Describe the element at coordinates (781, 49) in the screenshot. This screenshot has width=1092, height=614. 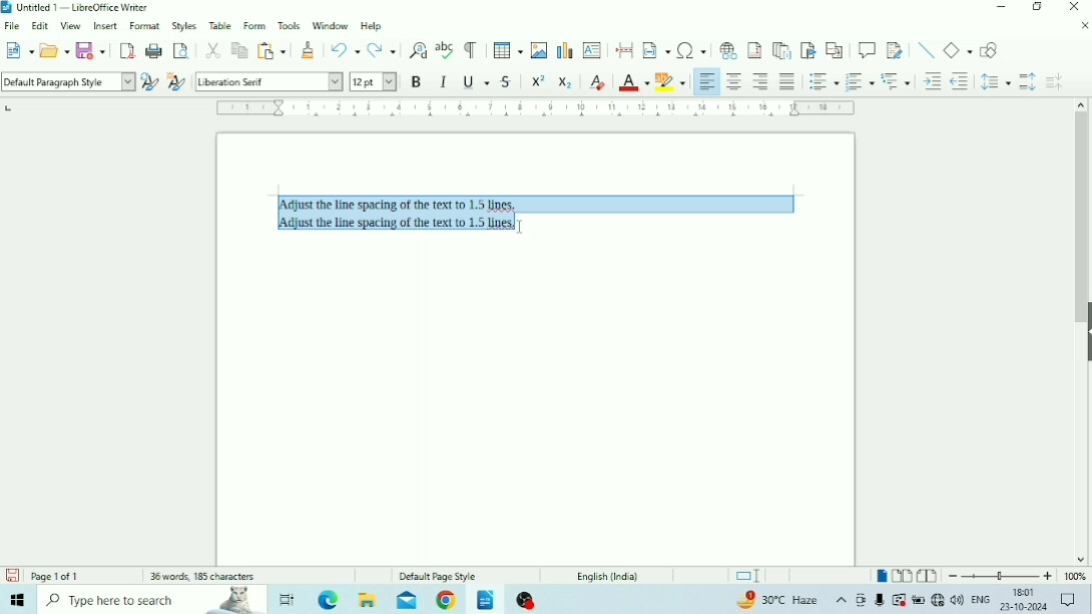
I see `Insert Endnote` at that location.